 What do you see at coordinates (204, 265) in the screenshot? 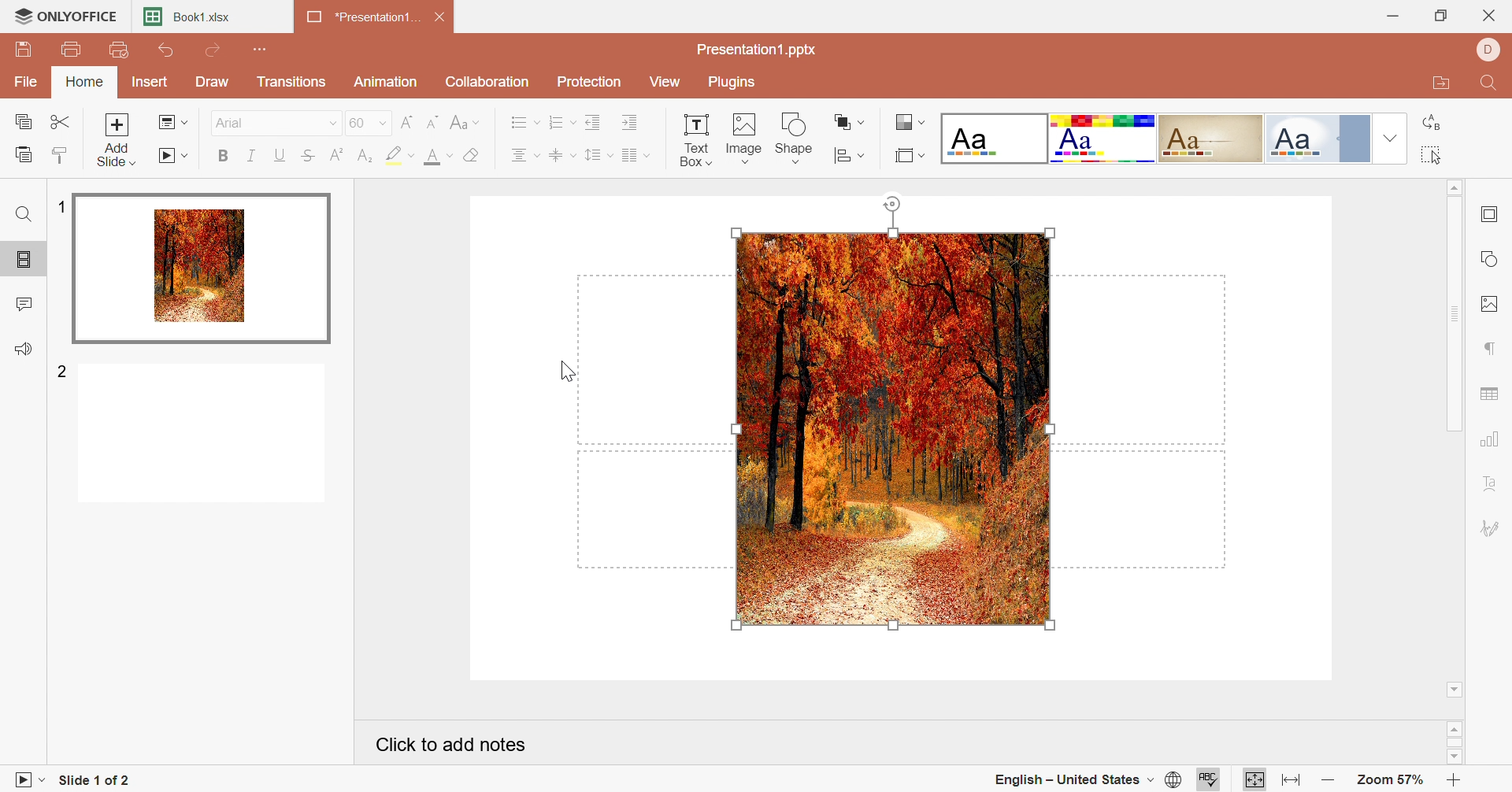
I see `Slide` at bounding box center [204, 265].